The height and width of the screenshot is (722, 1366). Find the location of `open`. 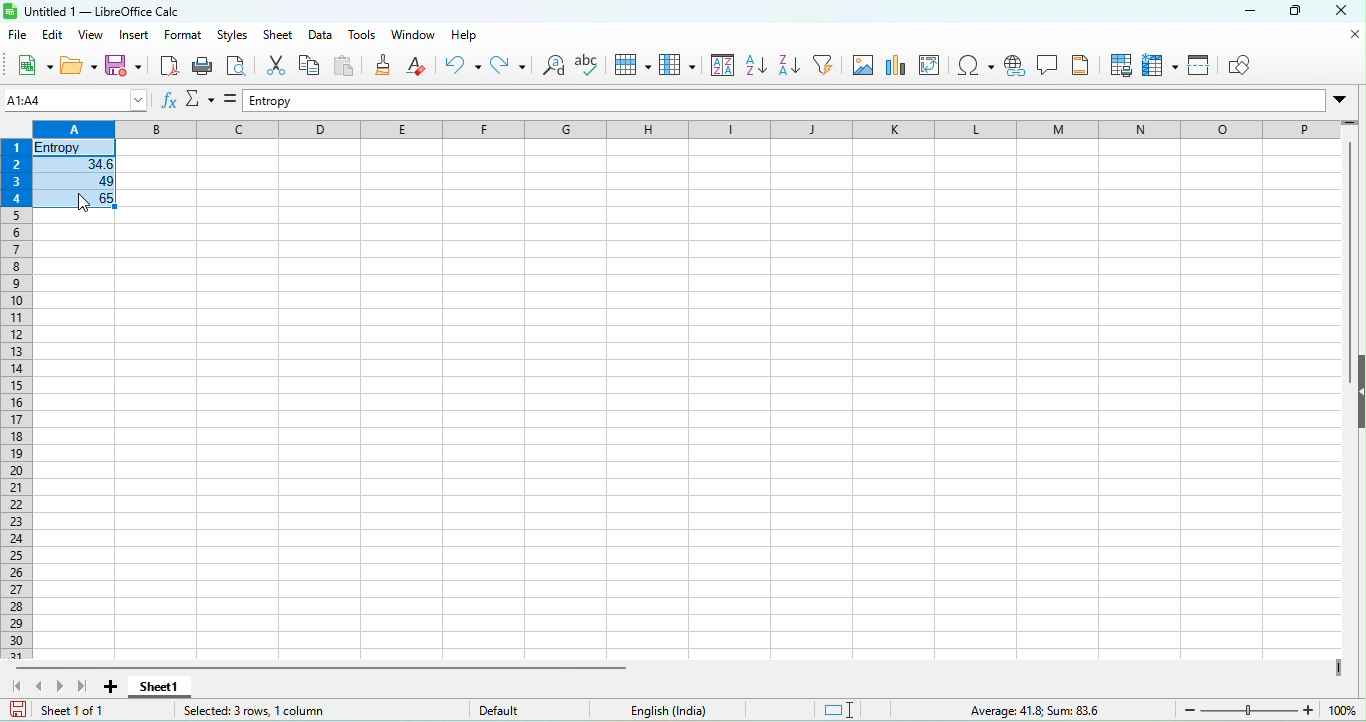

open is located at coordinates (78, 67).